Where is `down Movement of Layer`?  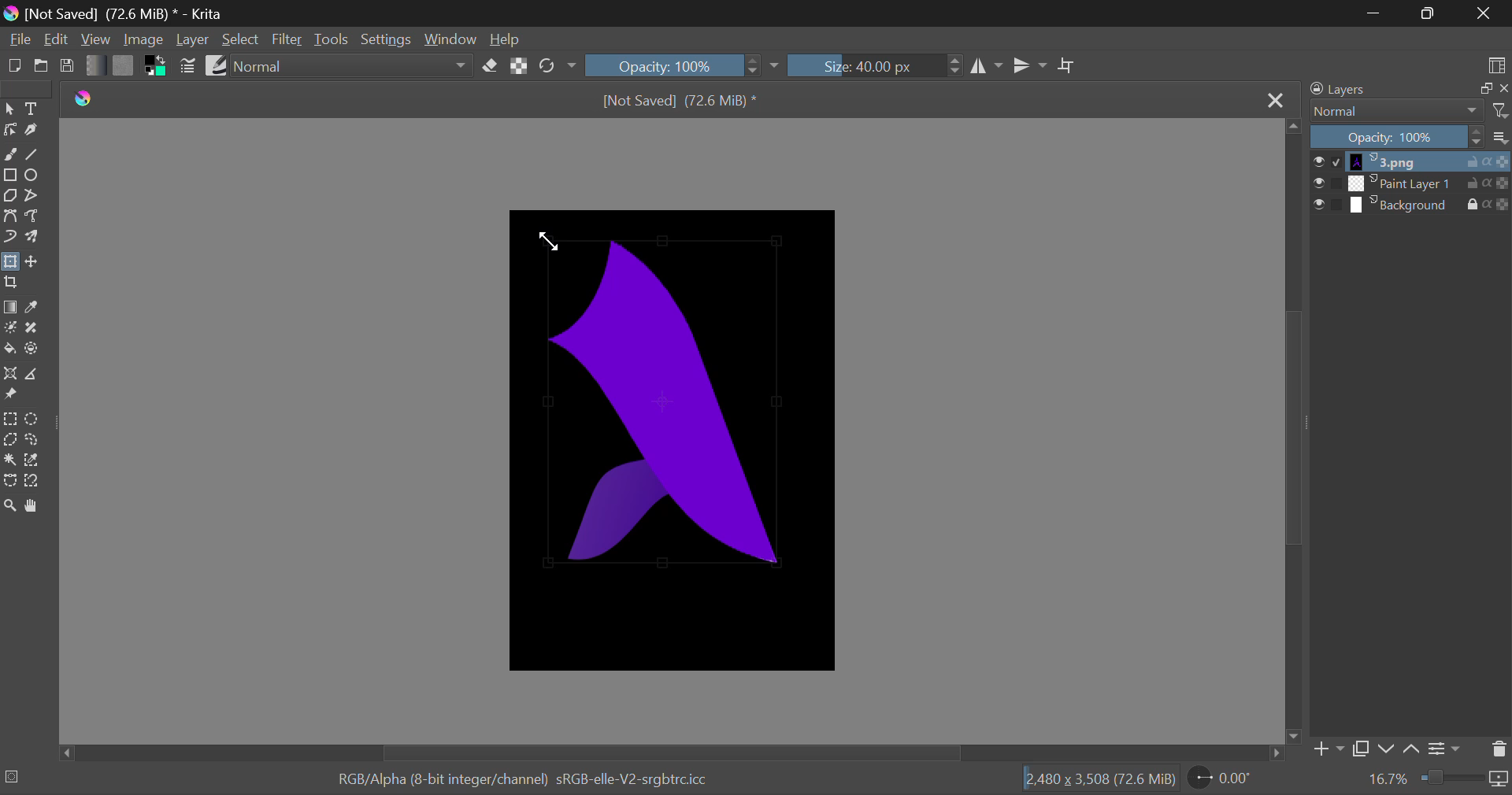 down Movement of Layer is located at coordinates (1388, 749).